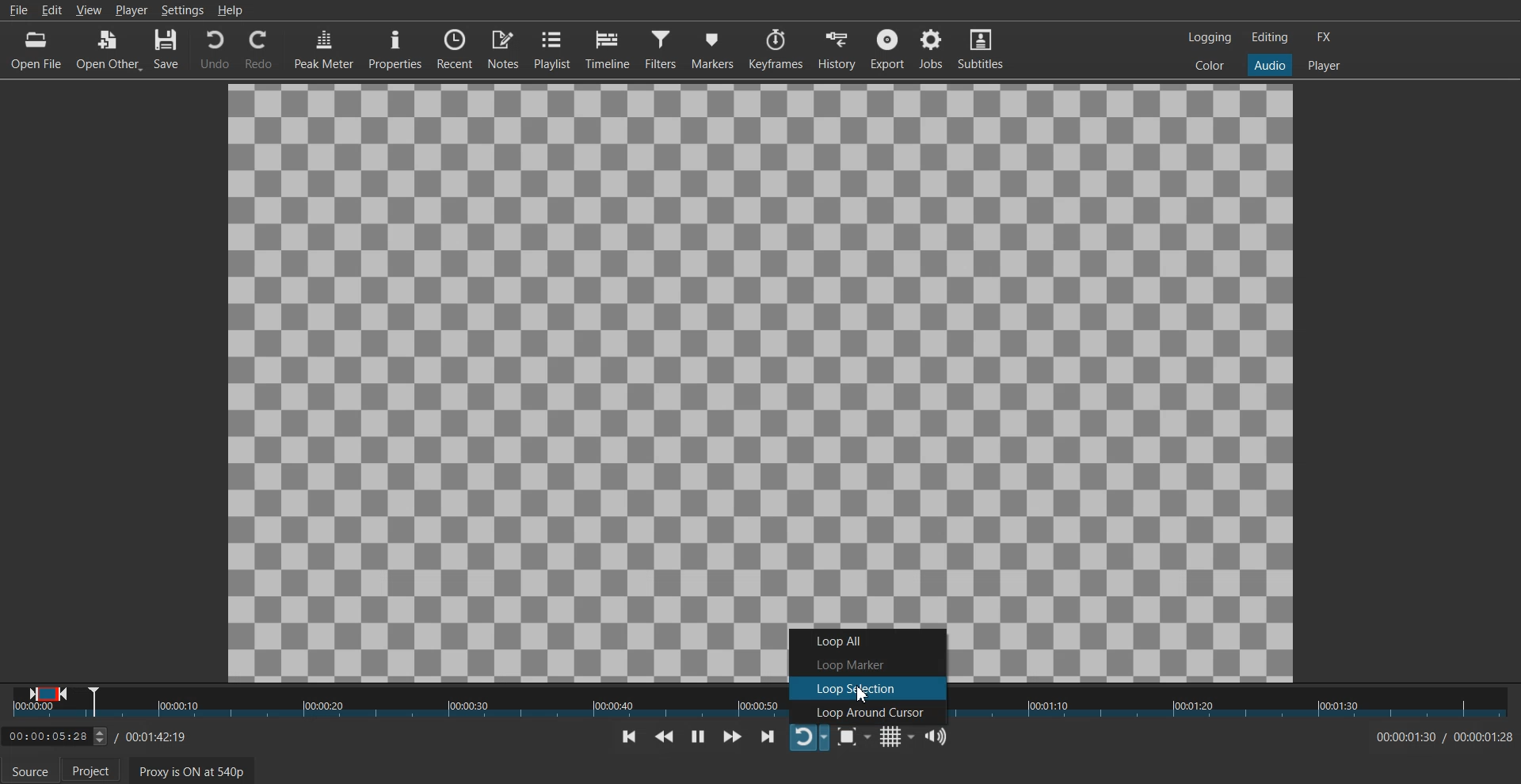 This screenshot has width=1521, height=784. Describe the element at coordinates (697, 736) in the screenshot. I see `Toggle play or paue` at that location.